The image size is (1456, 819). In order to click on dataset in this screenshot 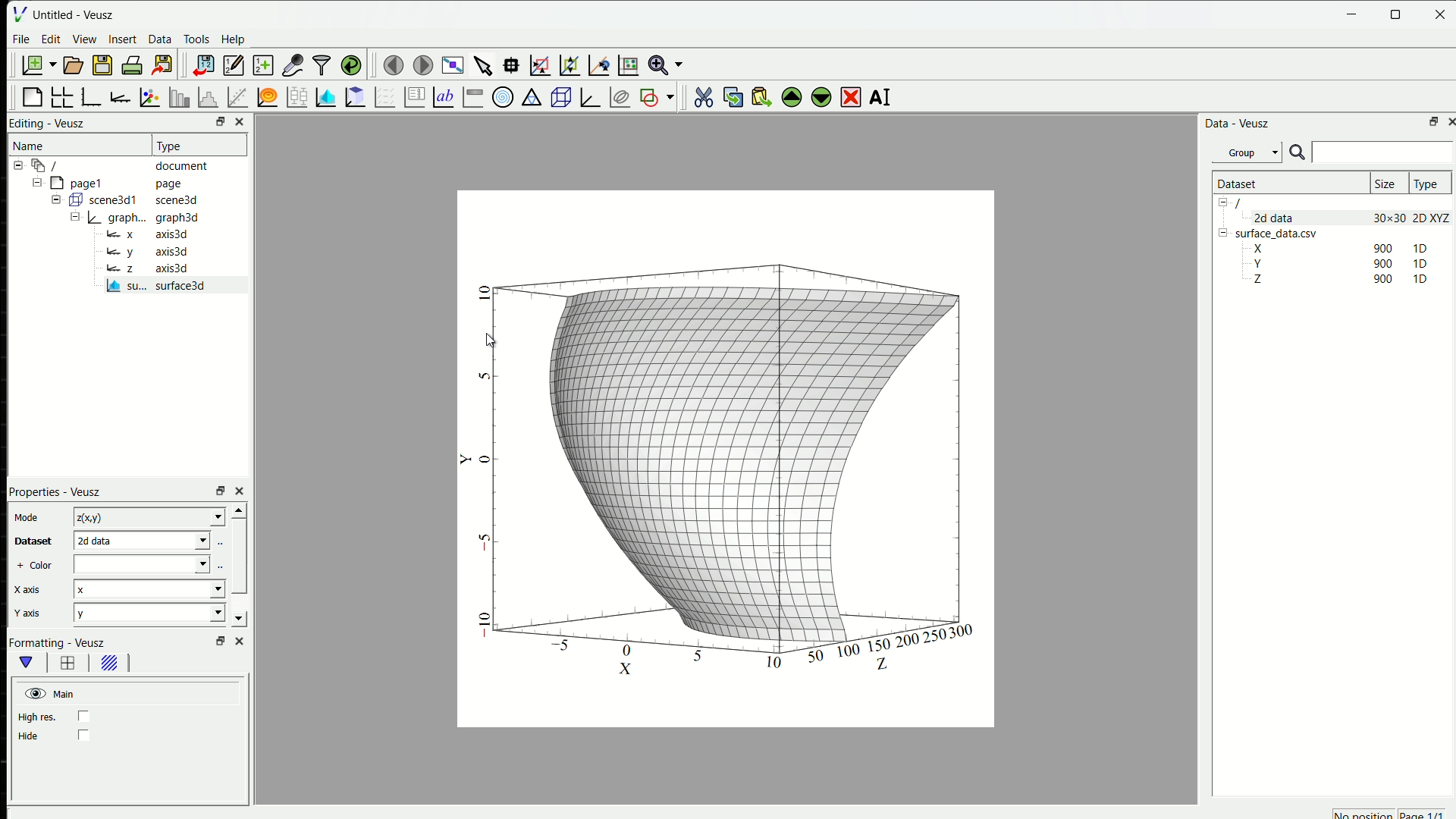, I will do `click(133, 540)`.